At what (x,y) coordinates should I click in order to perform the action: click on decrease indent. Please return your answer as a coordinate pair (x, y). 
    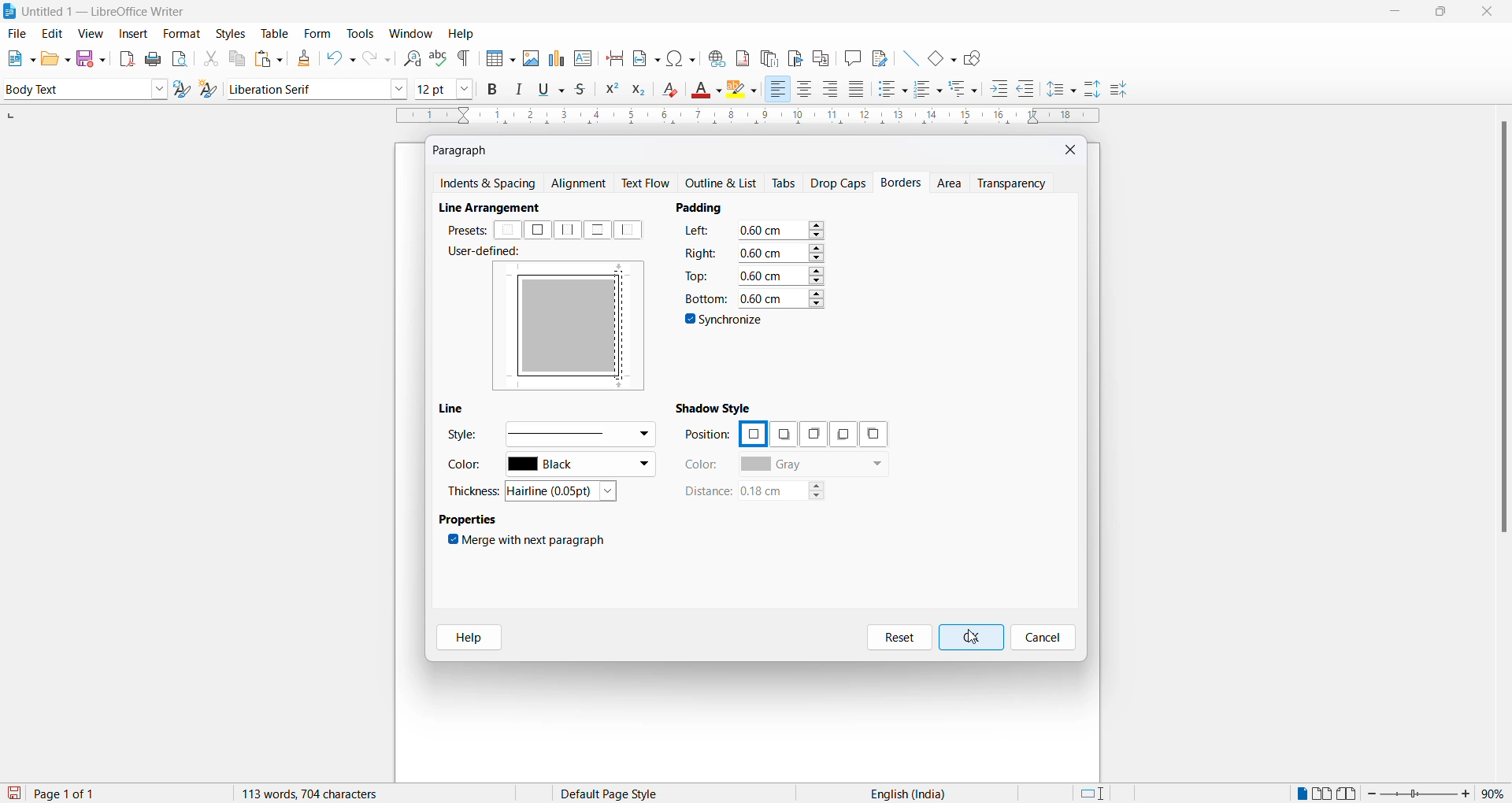
    Looking at the image, I should click on (1031, 90).